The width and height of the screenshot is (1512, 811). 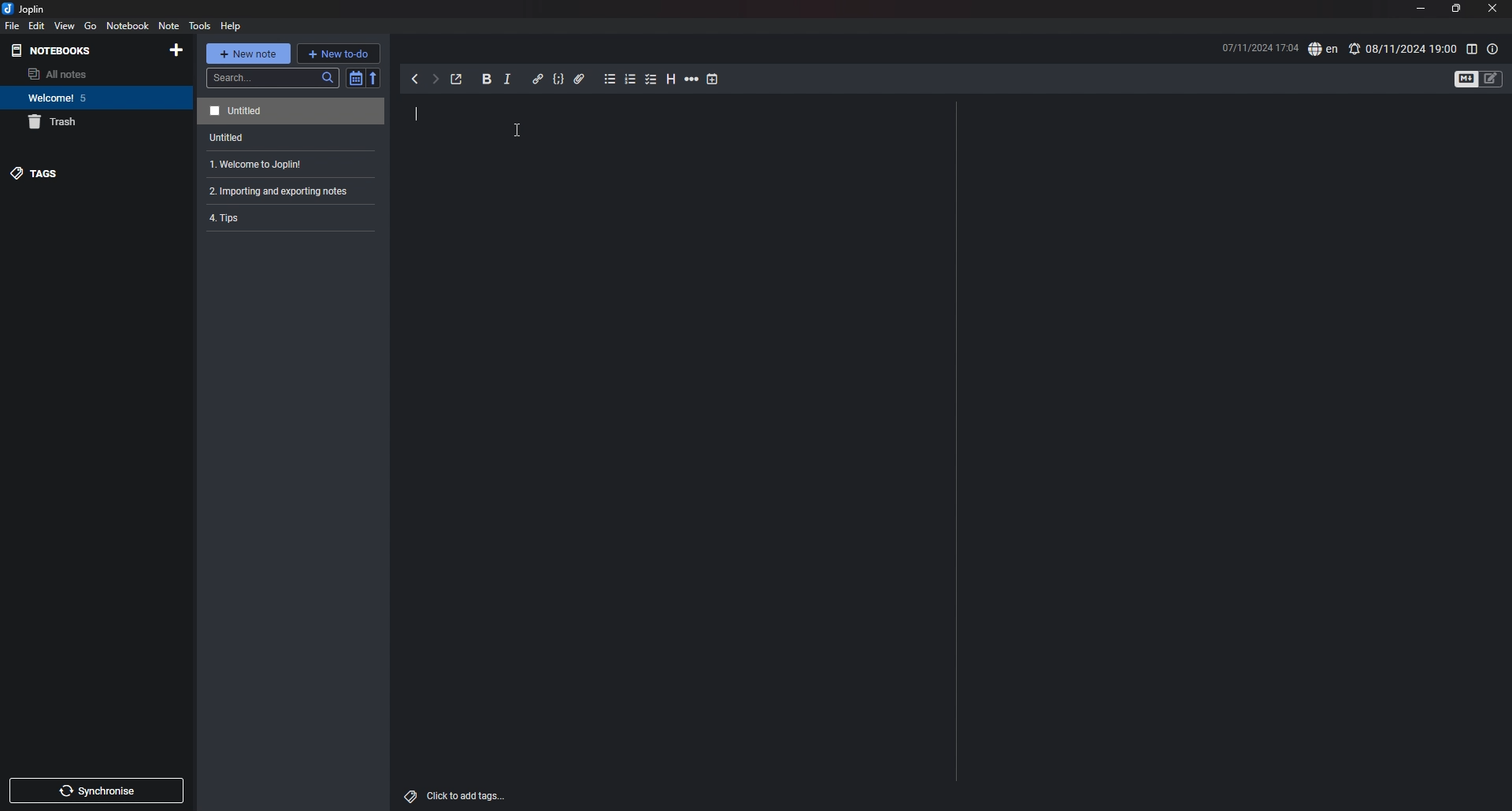 I want to click on cursor, so click(x=518, y=130).